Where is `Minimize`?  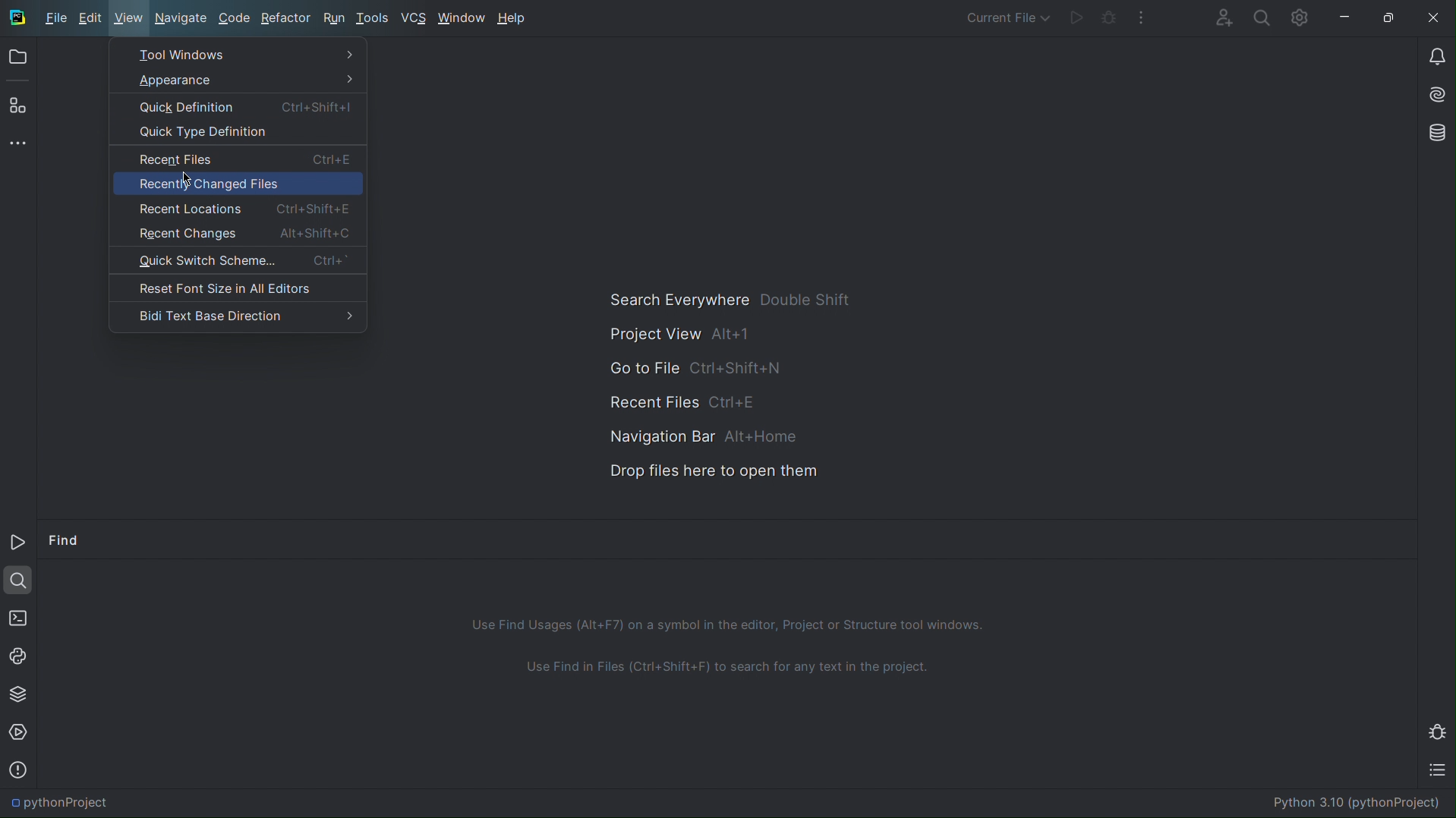 Minimize is located at coordinates (1346, 17).